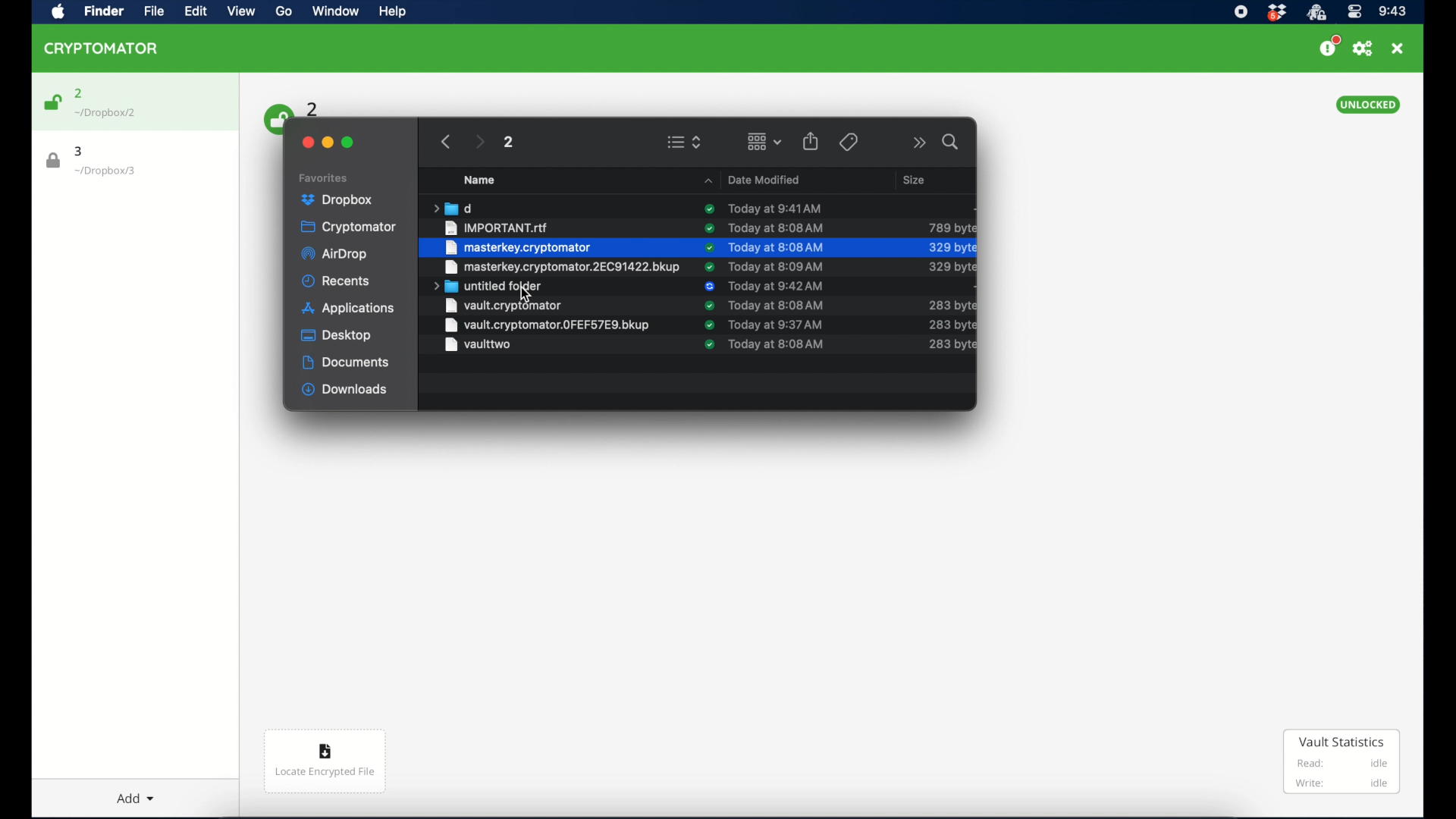 Image resolution: width=1456 pixels, height=819 pixels. What do you see at coordinates (1240, 12) in the screenshot?
I see `screen recorder icon` at bounding box center [1240, 12].